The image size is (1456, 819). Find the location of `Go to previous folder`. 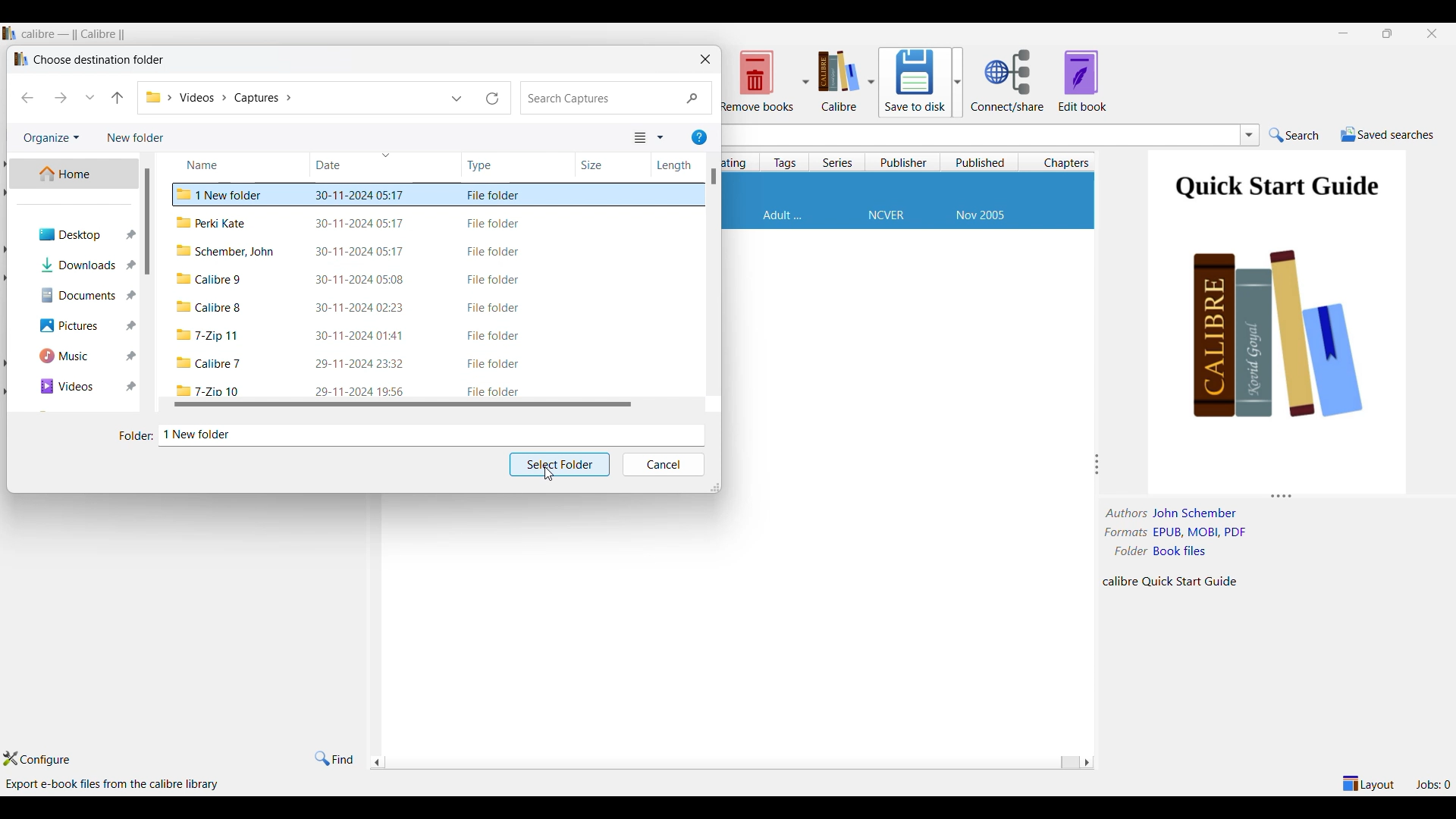

Go to previous folder is located at coordinates (117, 98).